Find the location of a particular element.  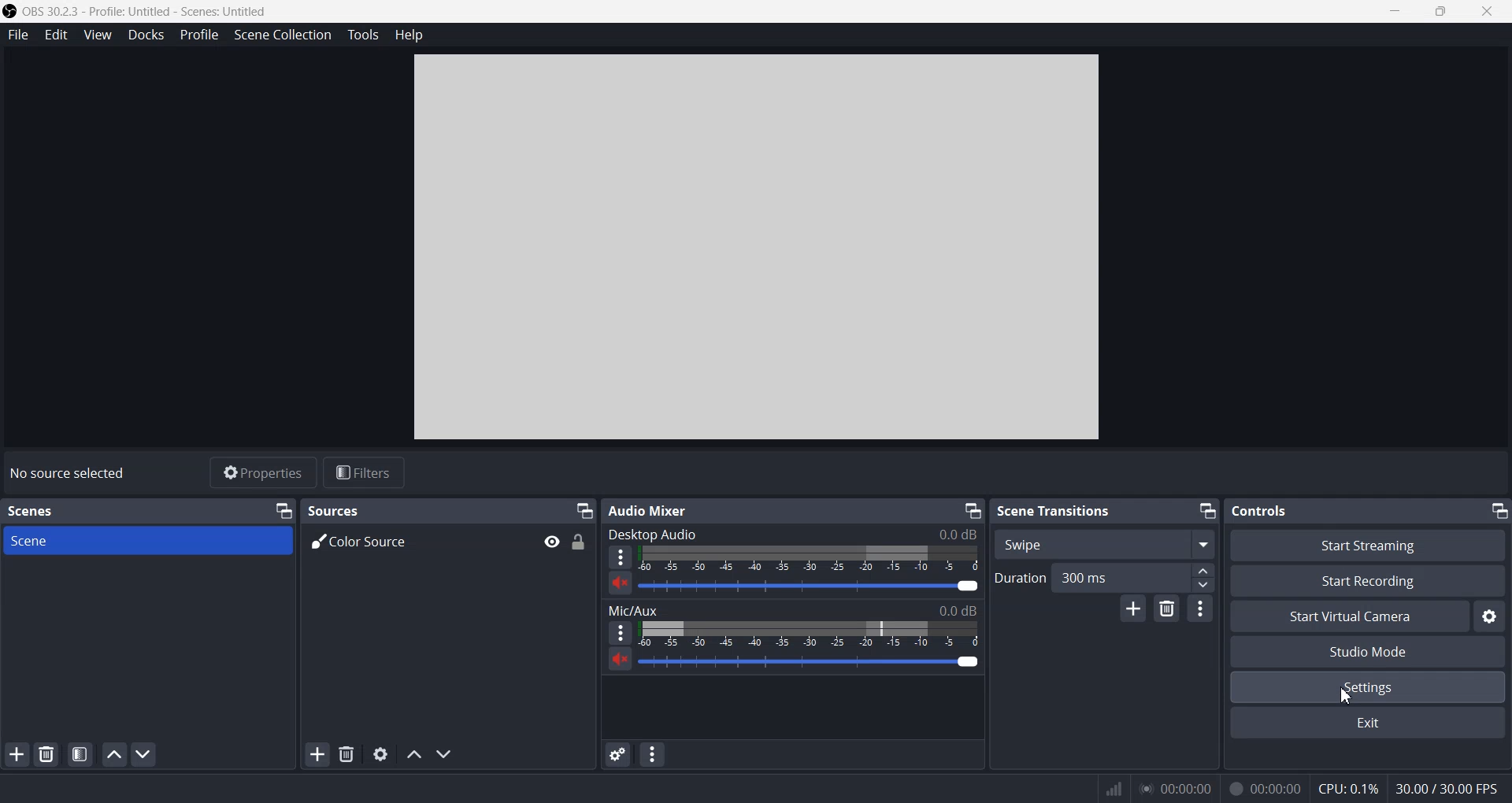

Volume Indicator is located at coordinates (809, 634).